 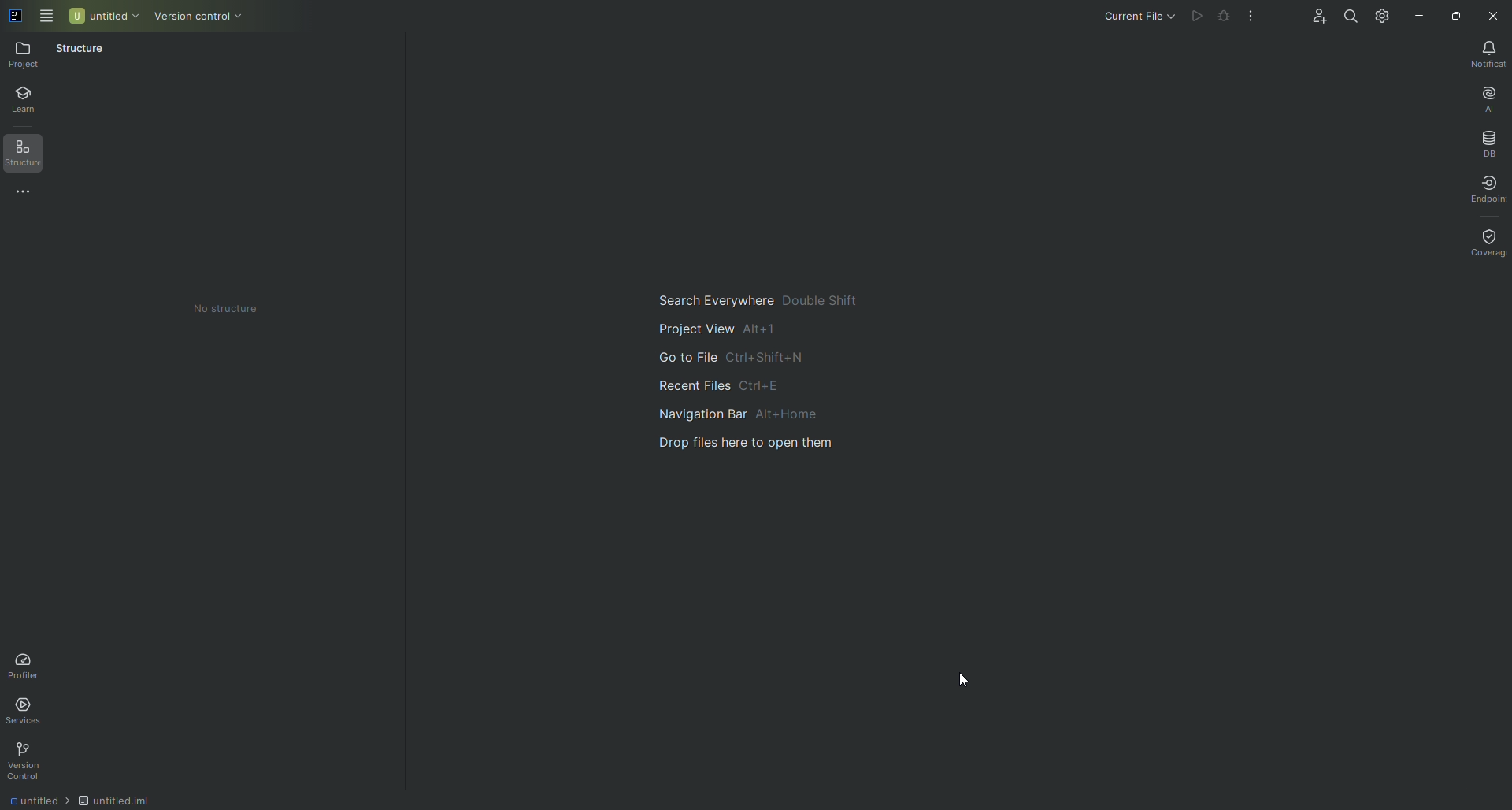 I want to click on Filename, so click(x=35, y=802).